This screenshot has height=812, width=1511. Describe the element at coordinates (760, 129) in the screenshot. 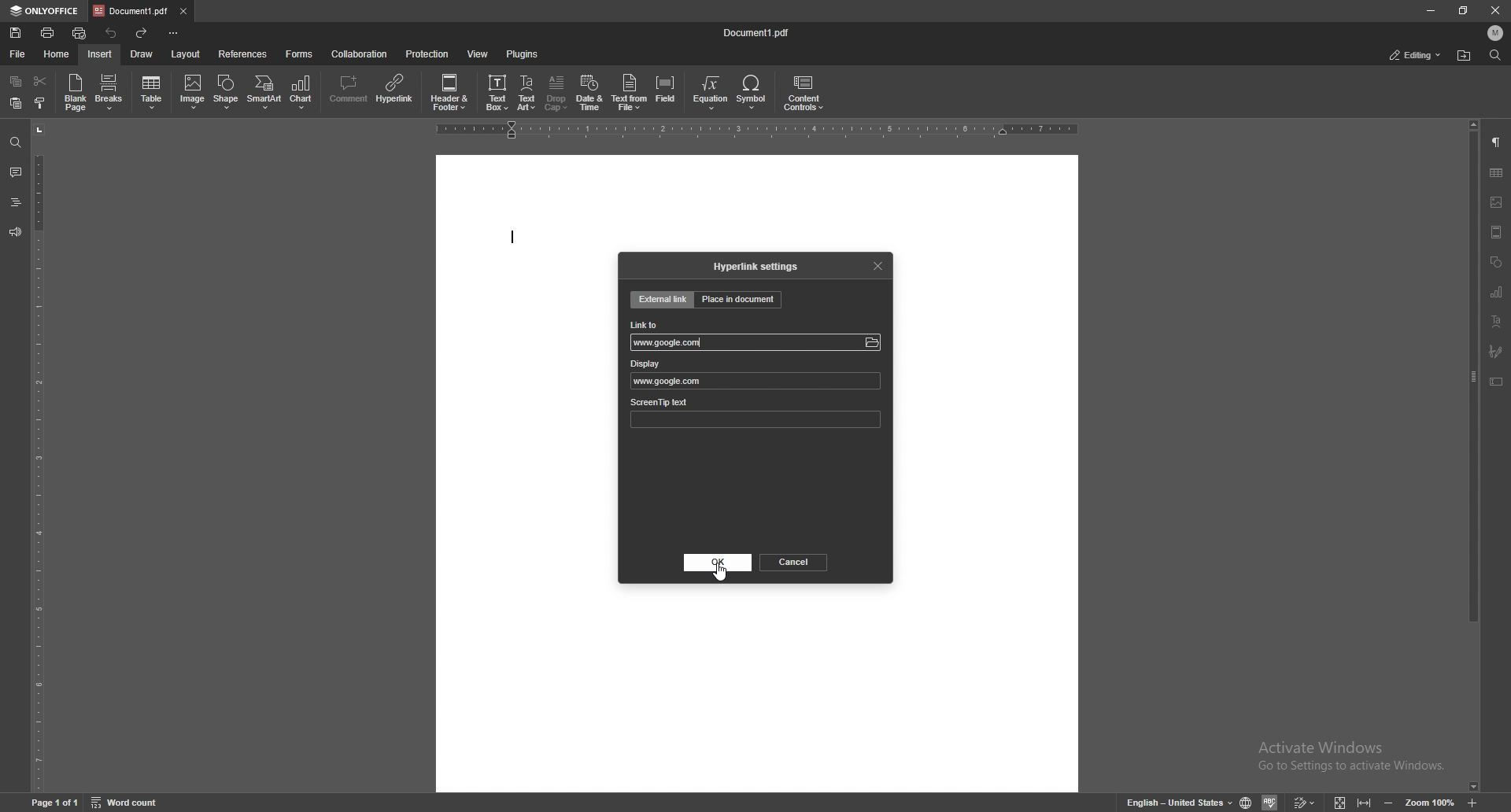

I see `horizontal scale` at that location.